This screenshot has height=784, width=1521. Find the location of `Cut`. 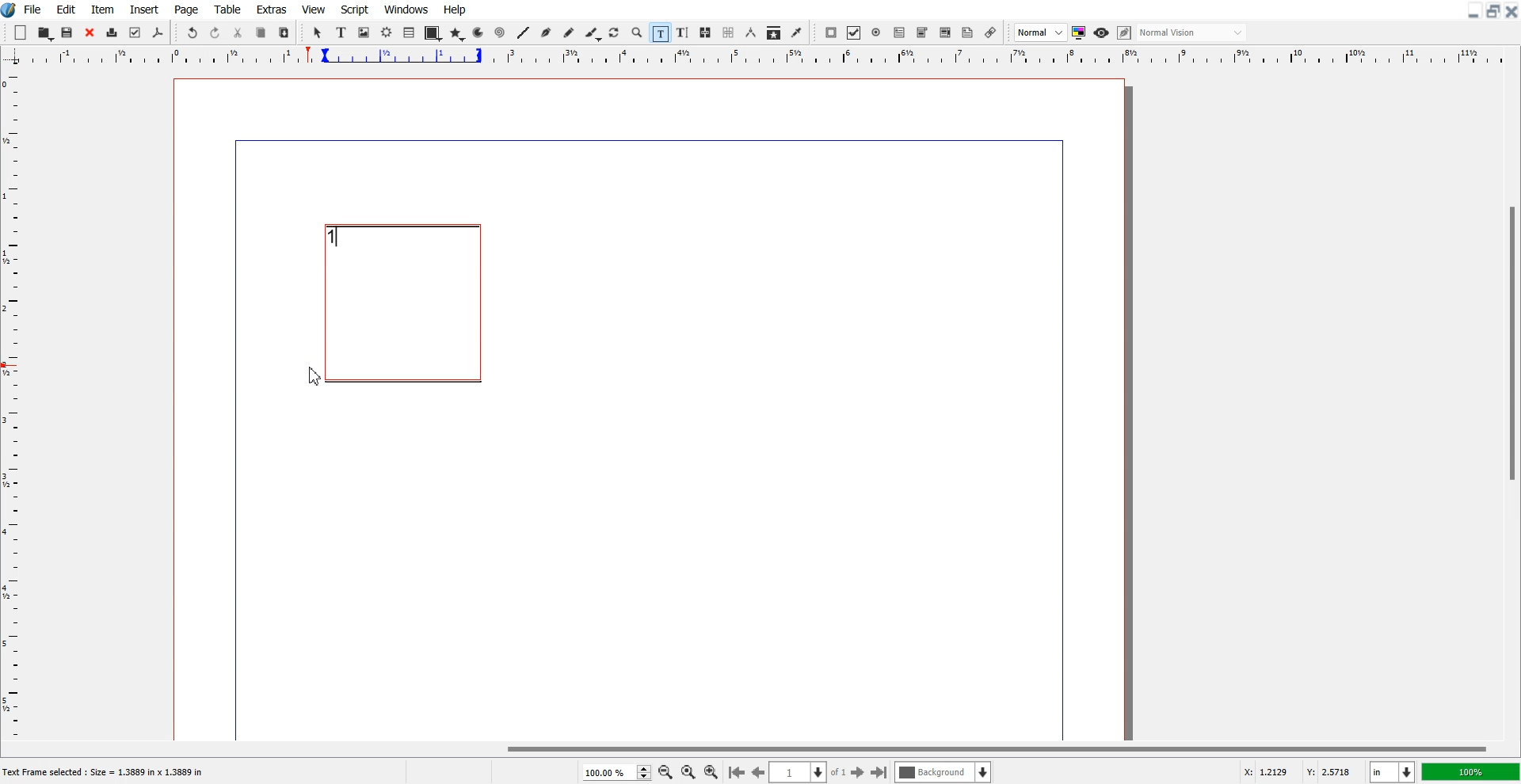

Cut is located at coordinates (238, 32).